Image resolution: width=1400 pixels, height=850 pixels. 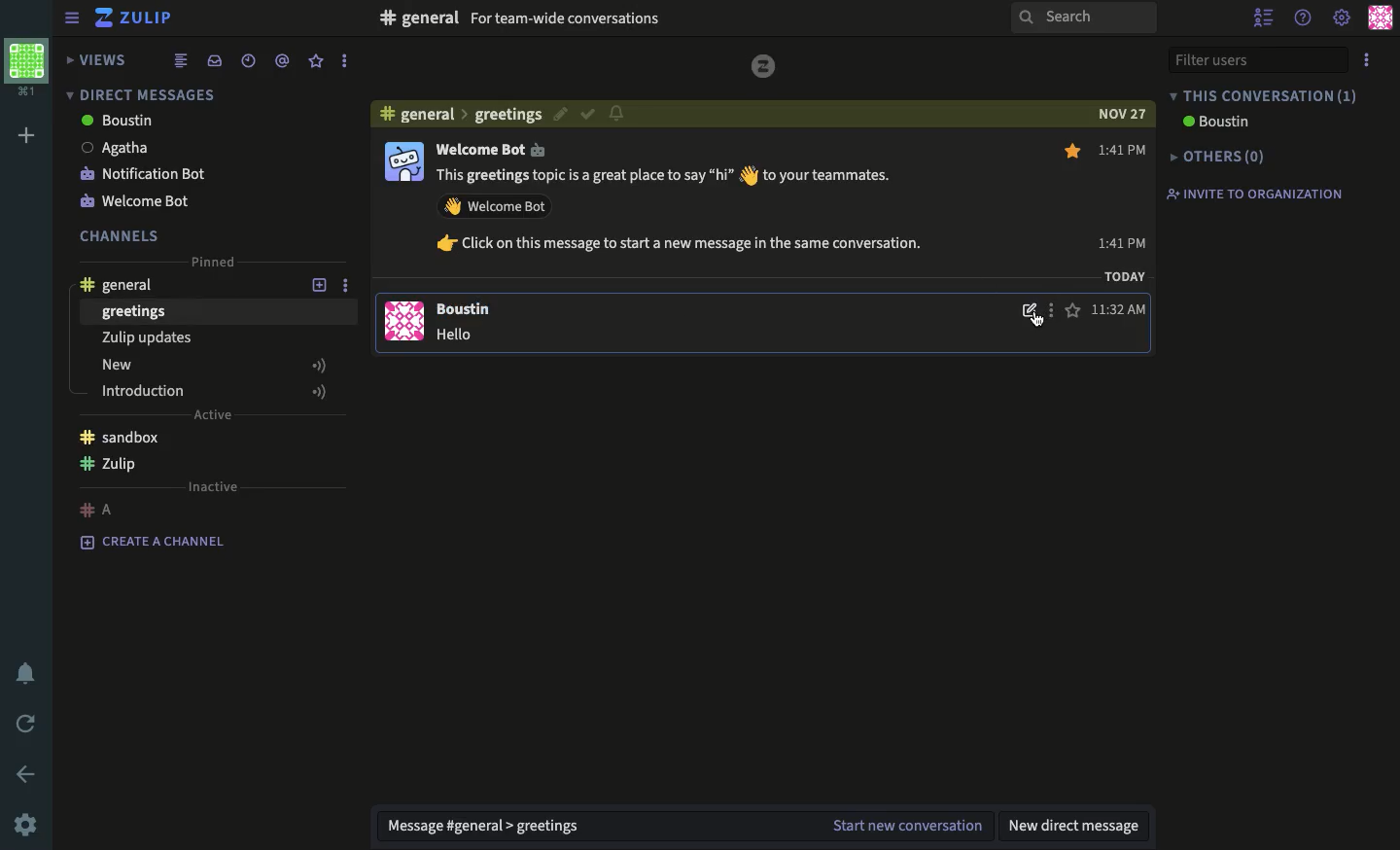 What do you see at coordinates (143, 92) in the screenshot?
I see `direct messages` at bounding box center [143, 92].